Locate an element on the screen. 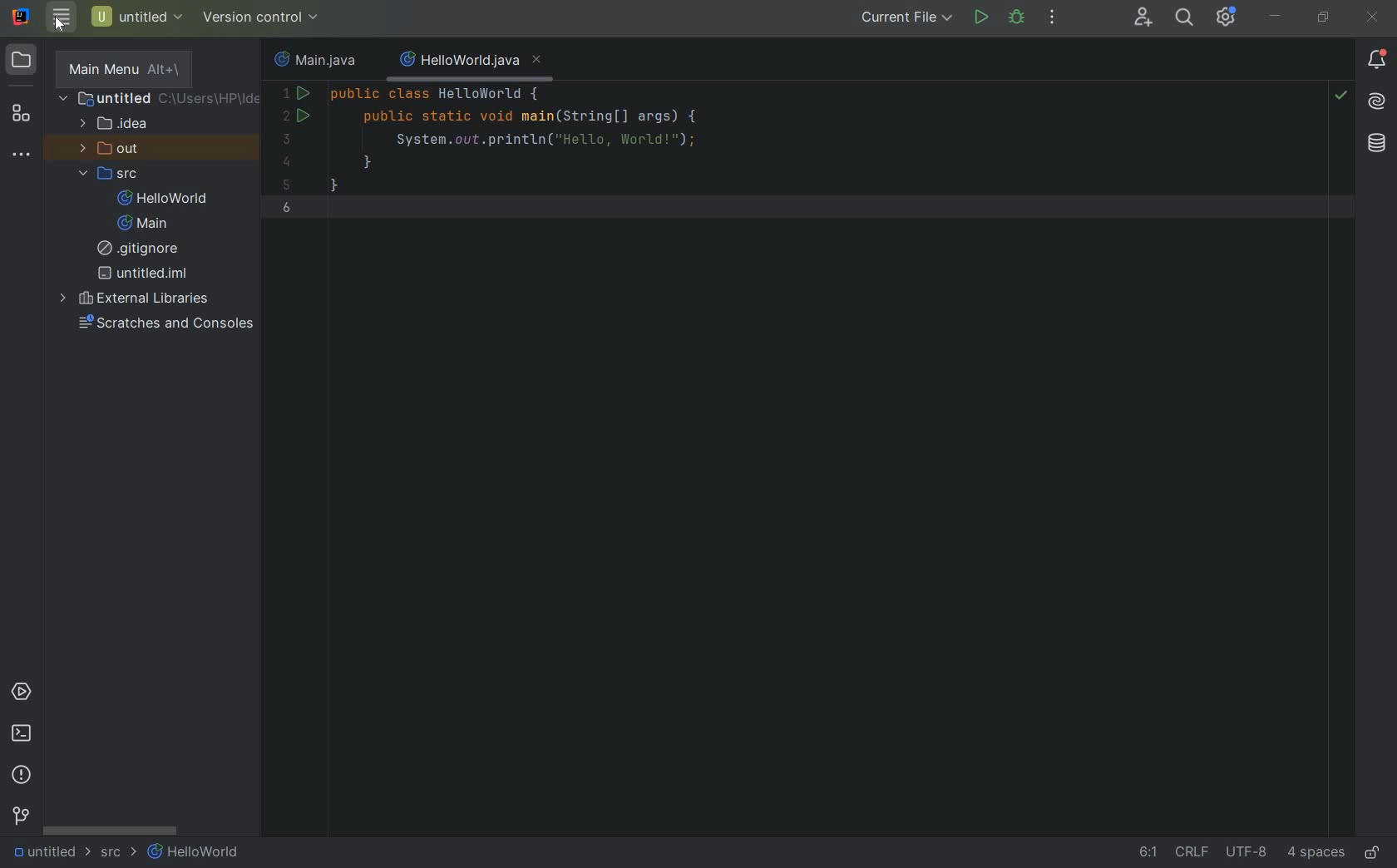 The image size is (1397, 868). DATABASE is located at coordinates (1377, 145).